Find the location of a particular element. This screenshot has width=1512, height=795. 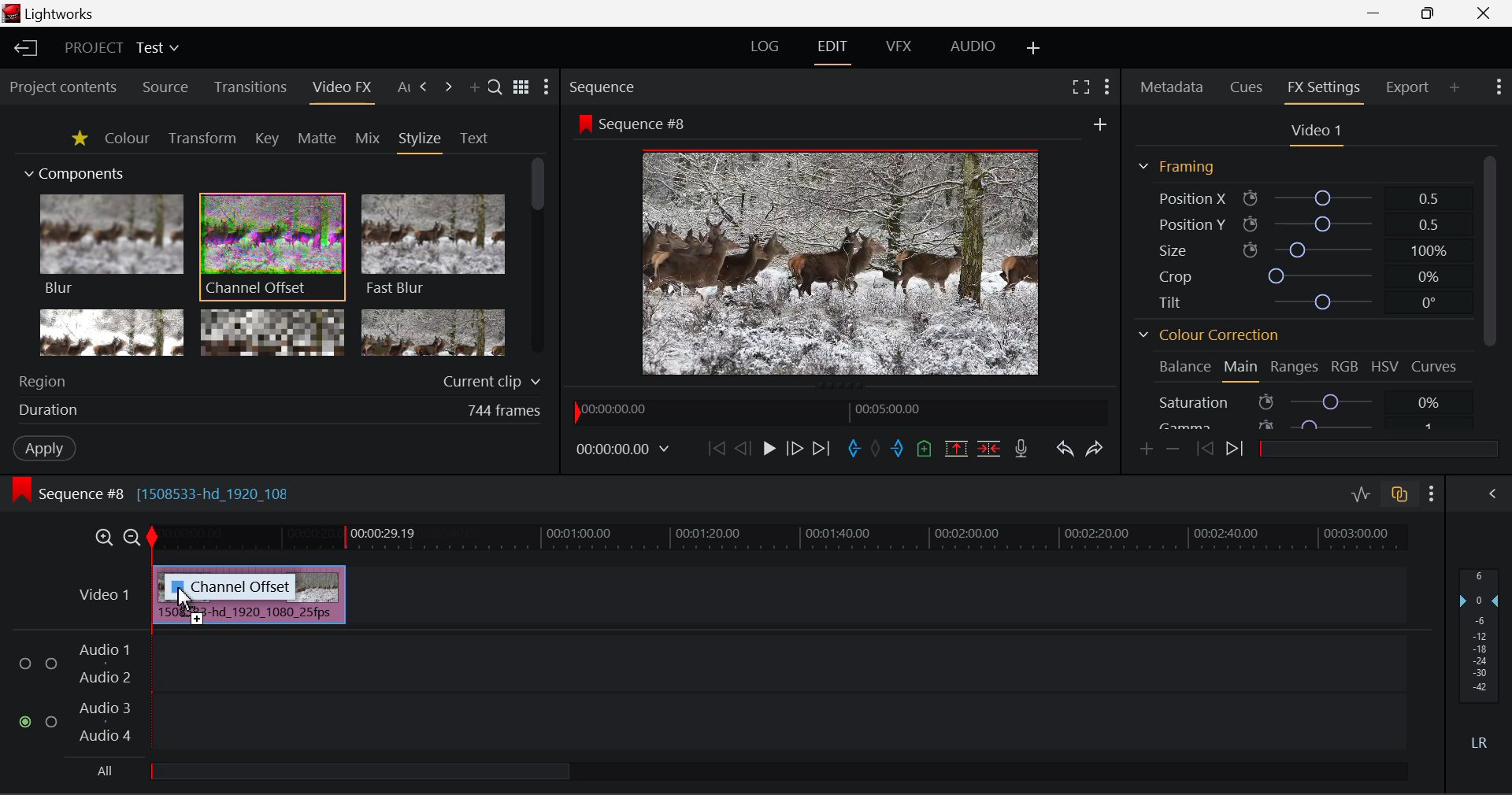

Timeline Zoom Out is located at coordinates (134, 539).